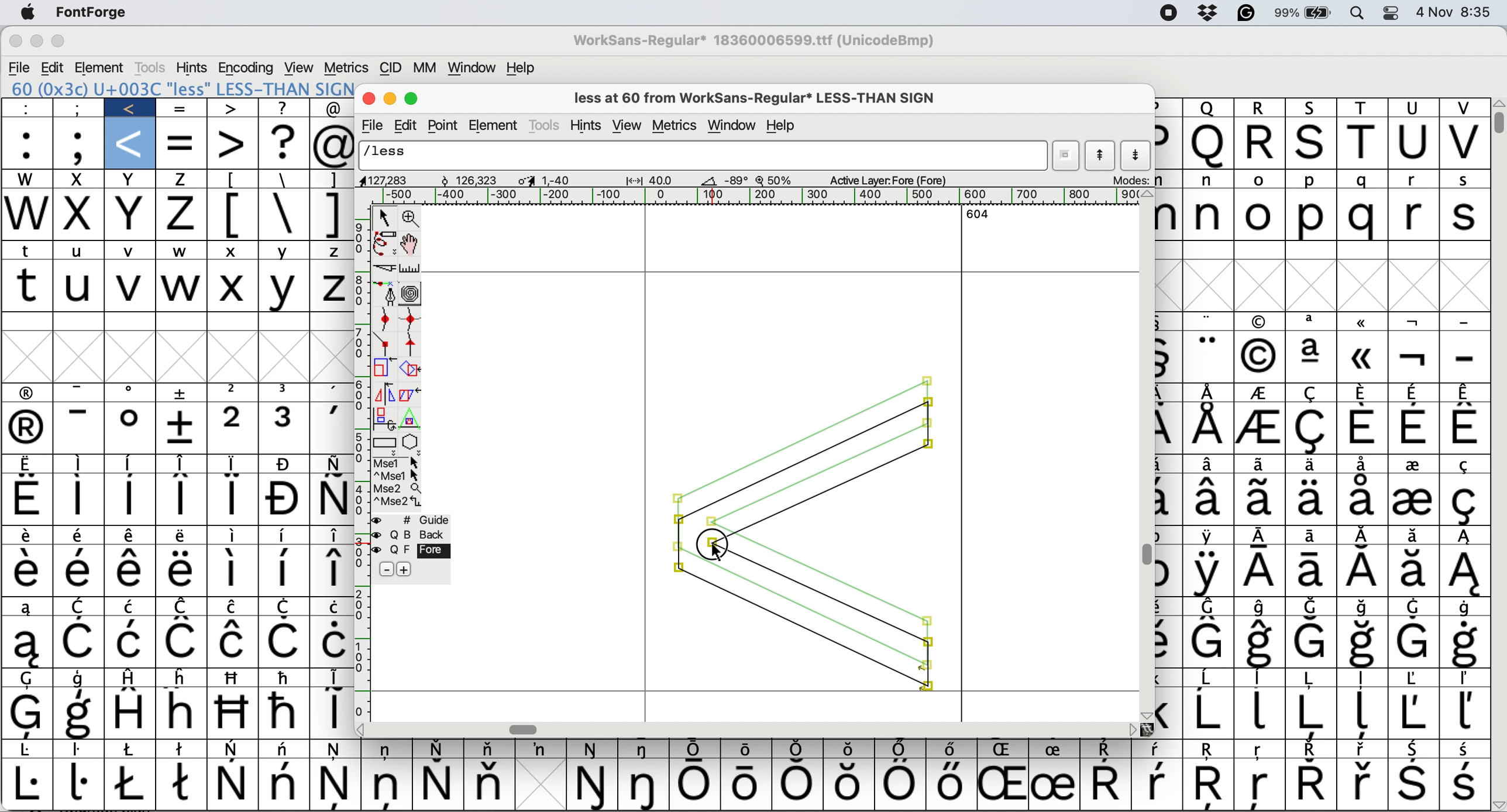  Describe the element at coordinates (78, 108) in the screenshot. I see `;` at that location.